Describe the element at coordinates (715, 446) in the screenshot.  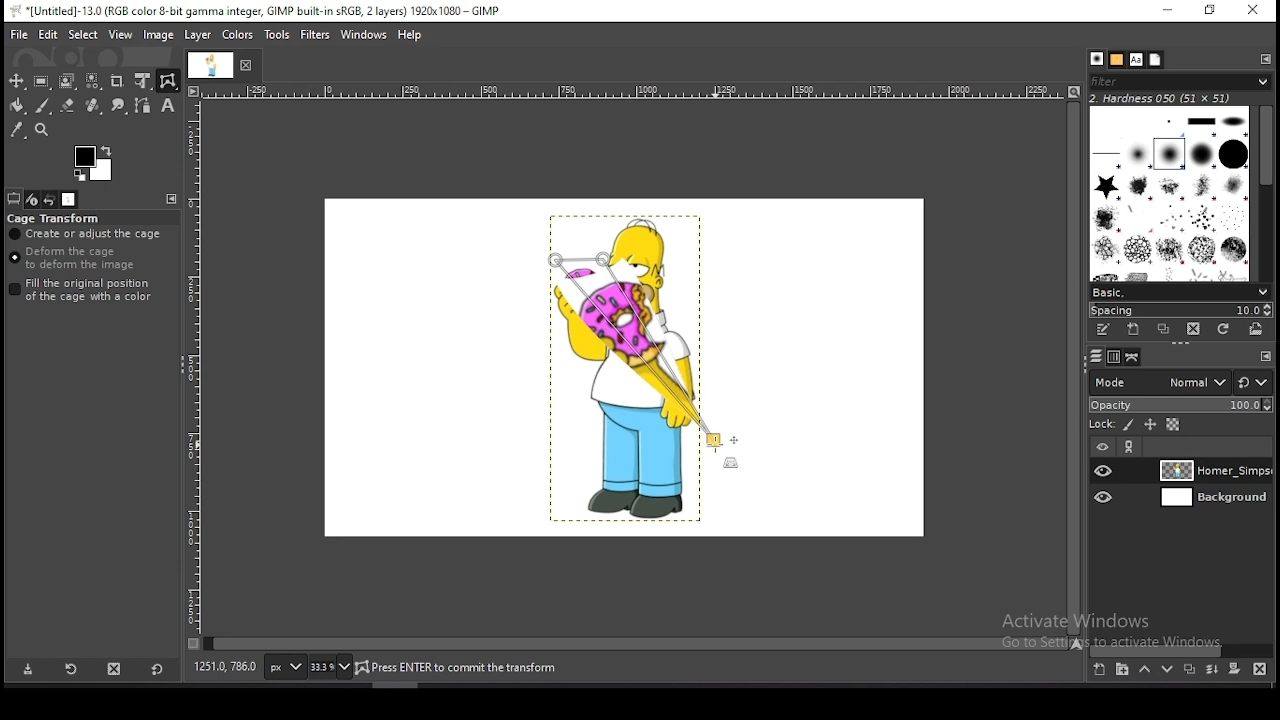
I see `mouse pointer` at that location.